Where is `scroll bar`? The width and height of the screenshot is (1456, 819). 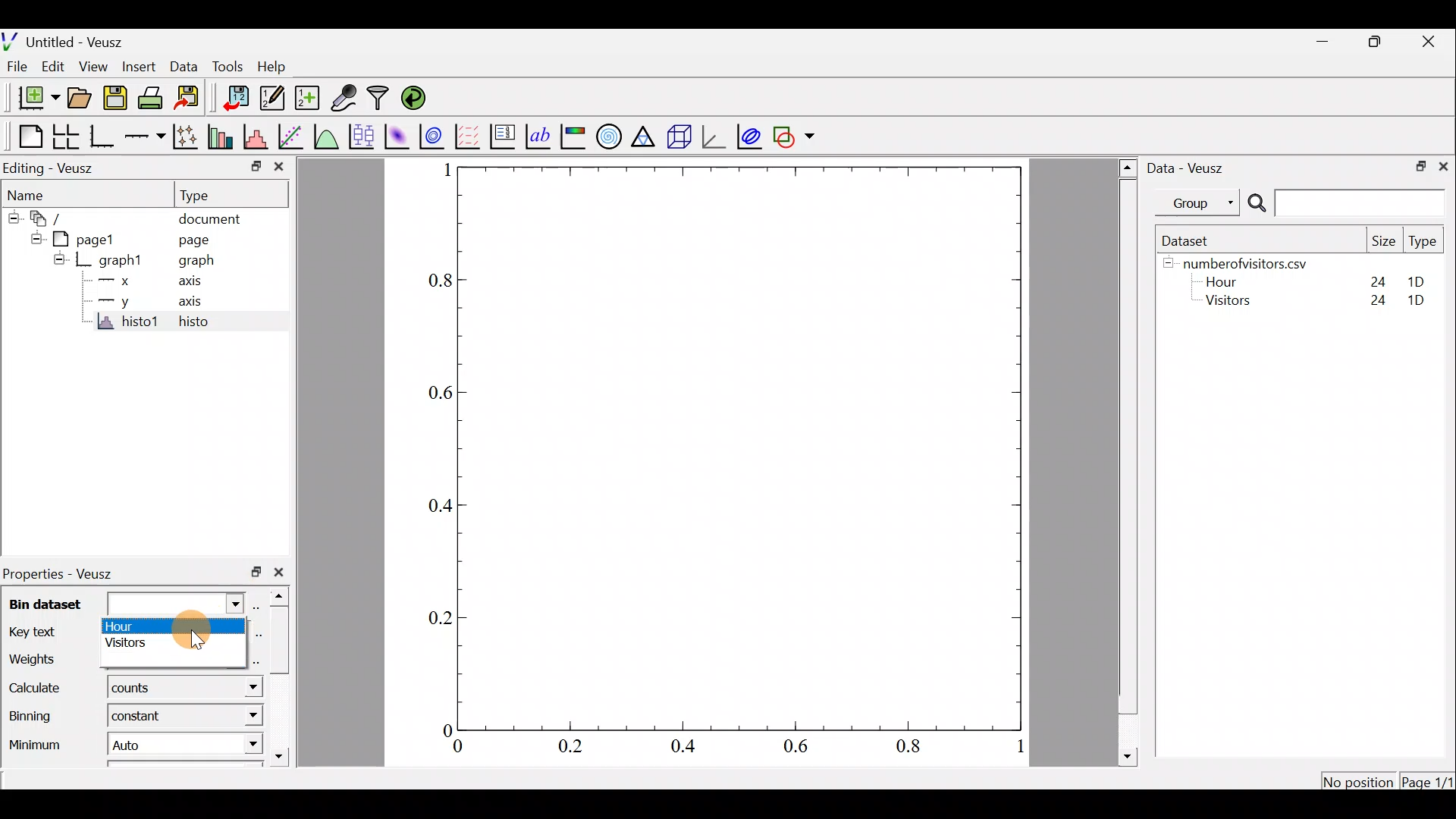 scroll bar is located at coordinates (1125, 460).